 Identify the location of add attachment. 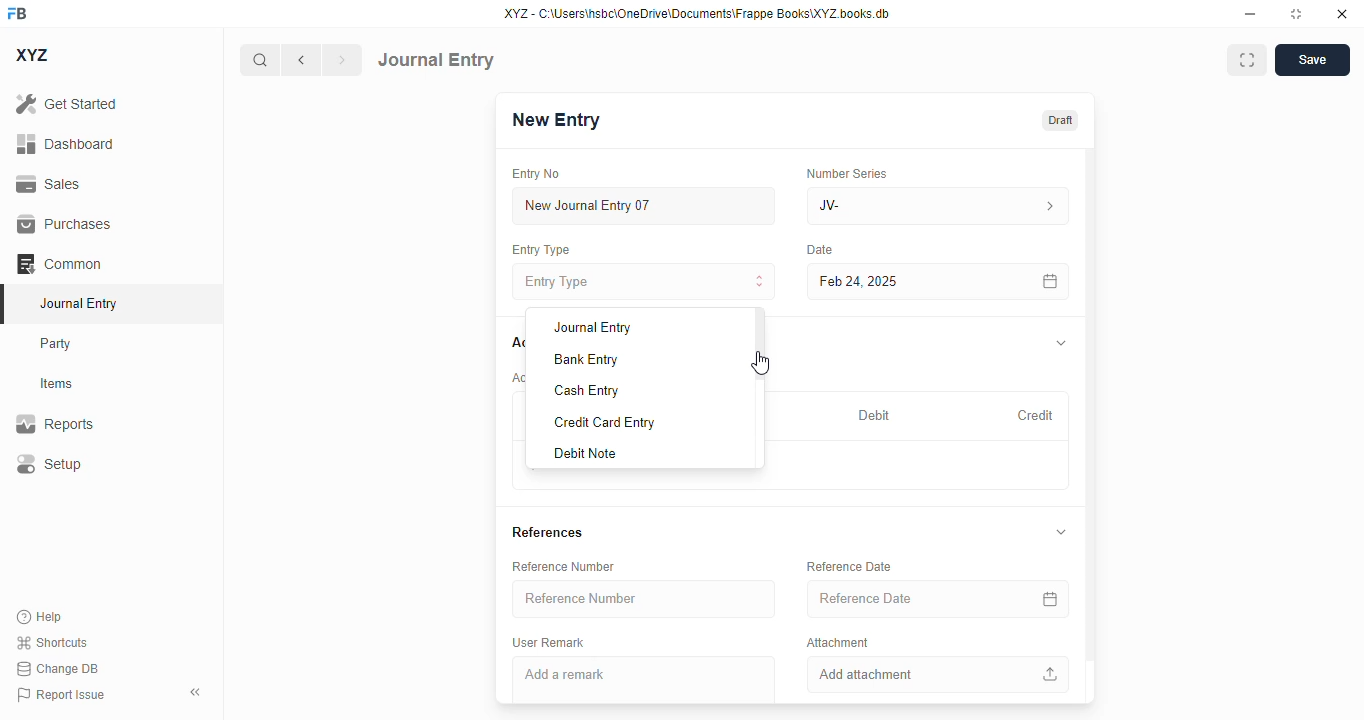
(937, 675).